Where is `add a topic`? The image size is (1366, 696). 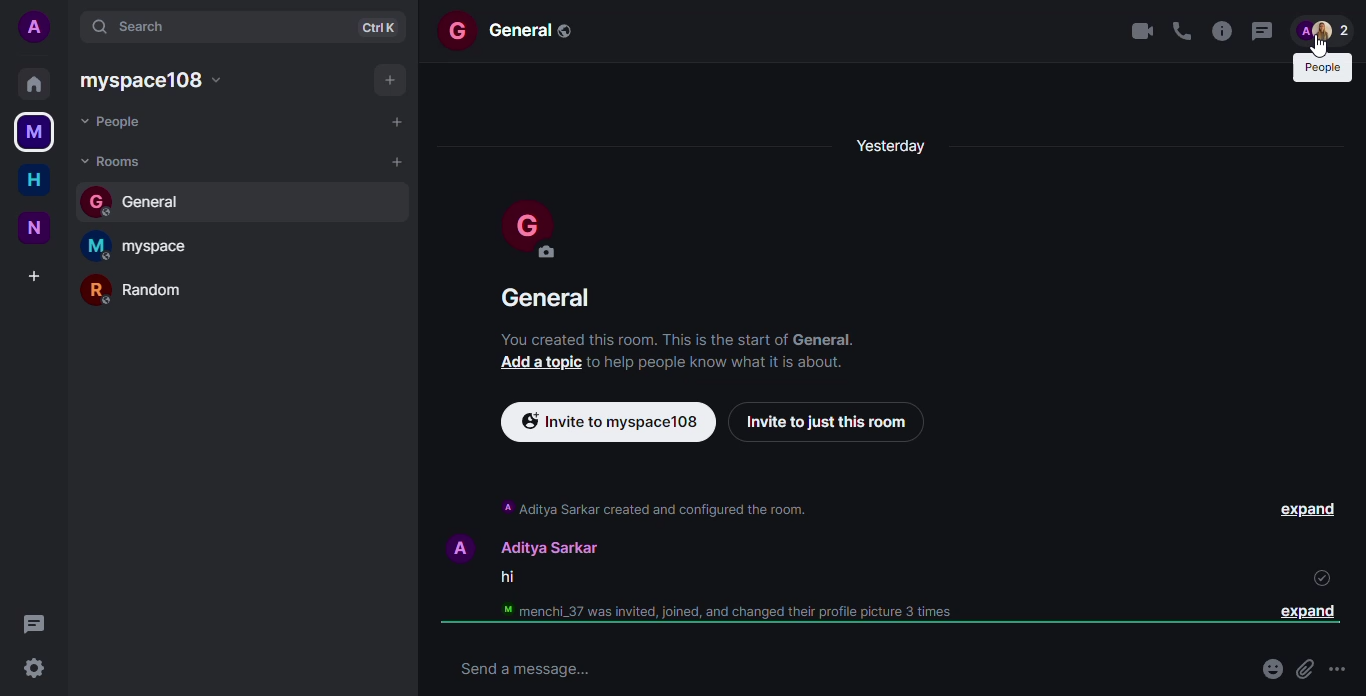
add a topic is located at coordinates (532, 364).